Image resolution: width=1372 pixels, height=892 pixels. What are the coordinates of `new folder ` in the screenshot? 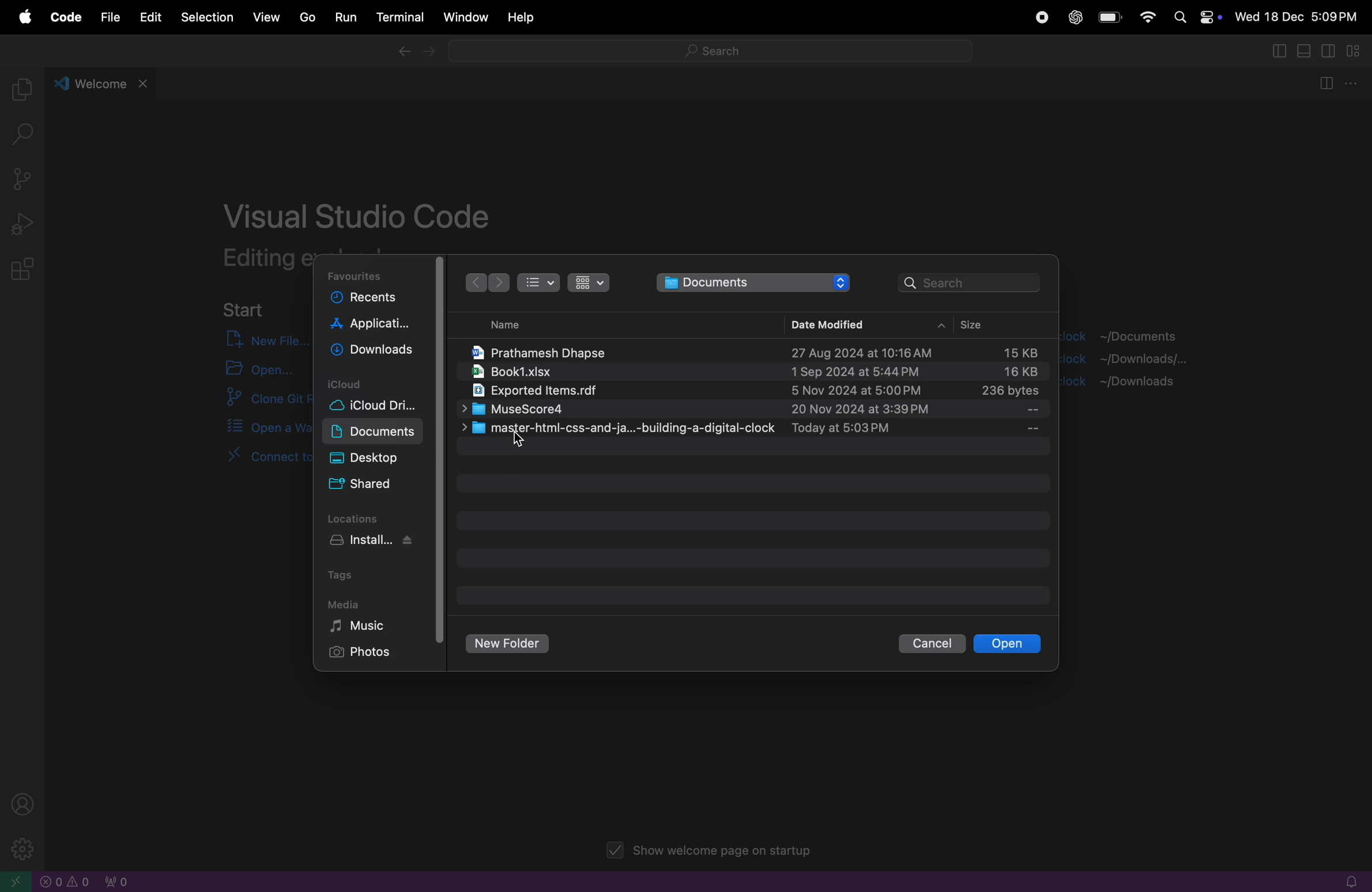 It's located at (509, 644).